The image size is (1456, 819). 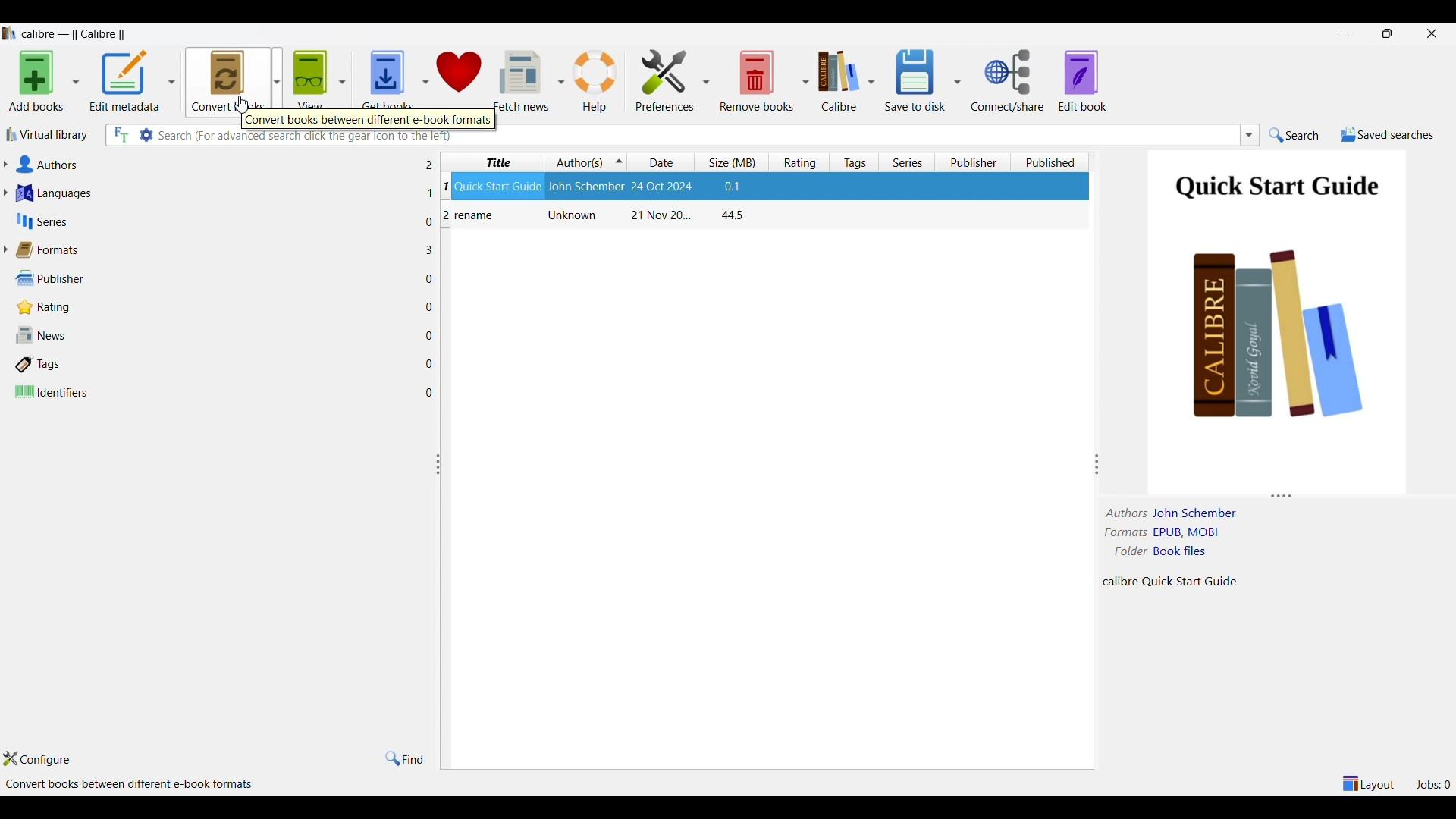 I want to click on Advanced search, so click(x=145, y=135).